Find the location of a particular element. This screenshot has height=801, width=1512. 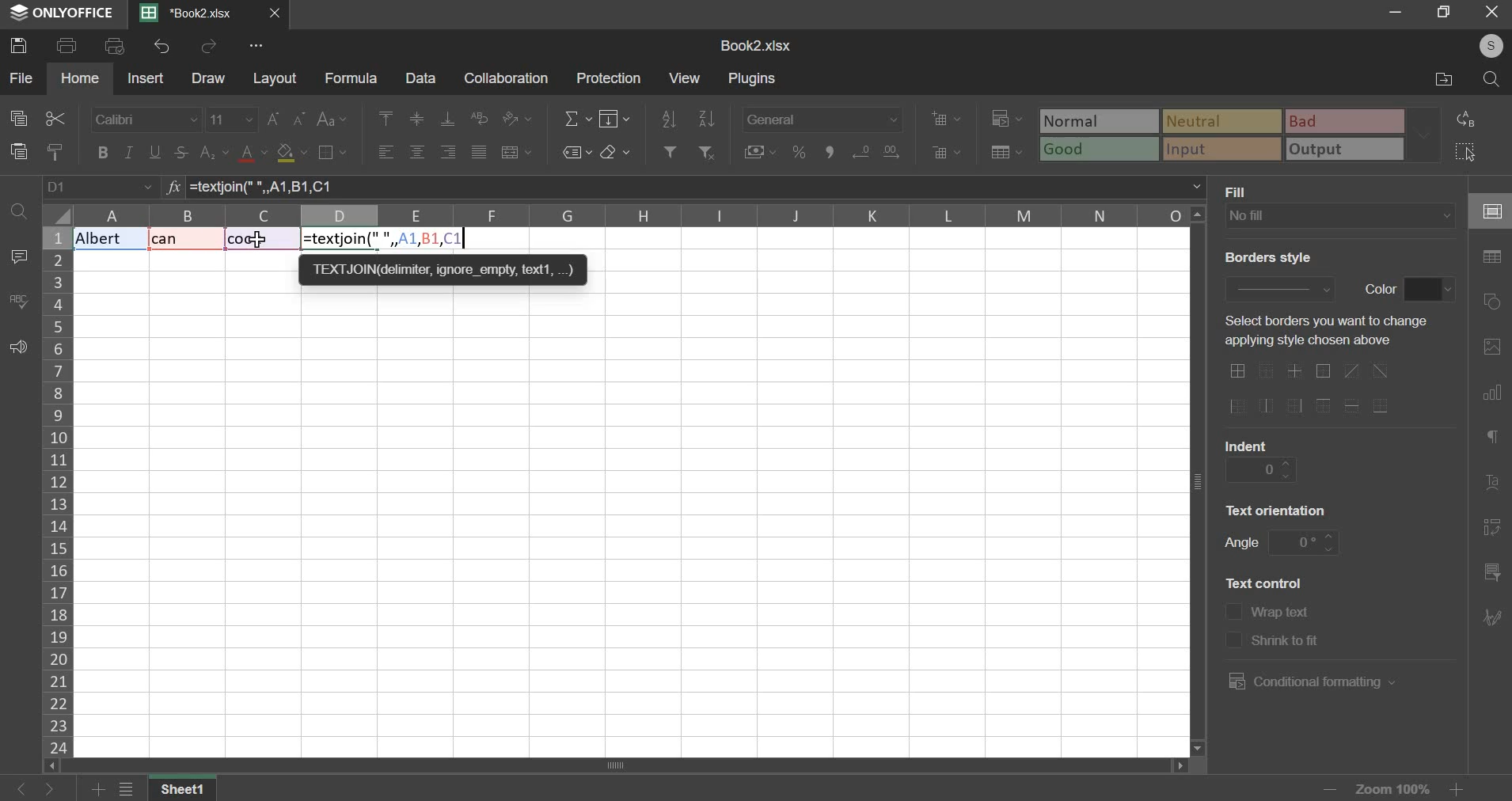

wrap text is located at coordinates (481, 116).